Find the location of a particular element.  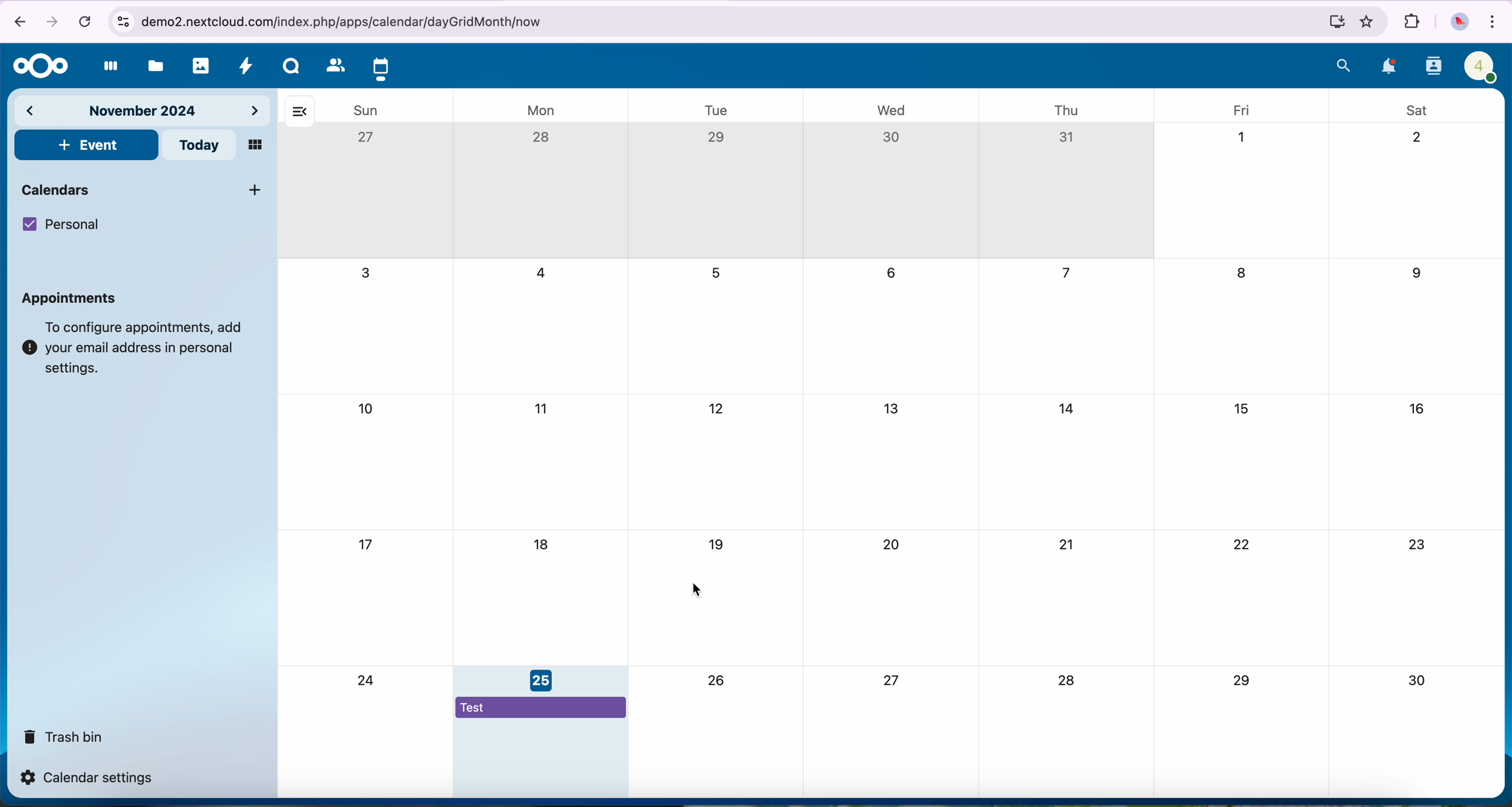

27 is located at coordinates (894, 680).